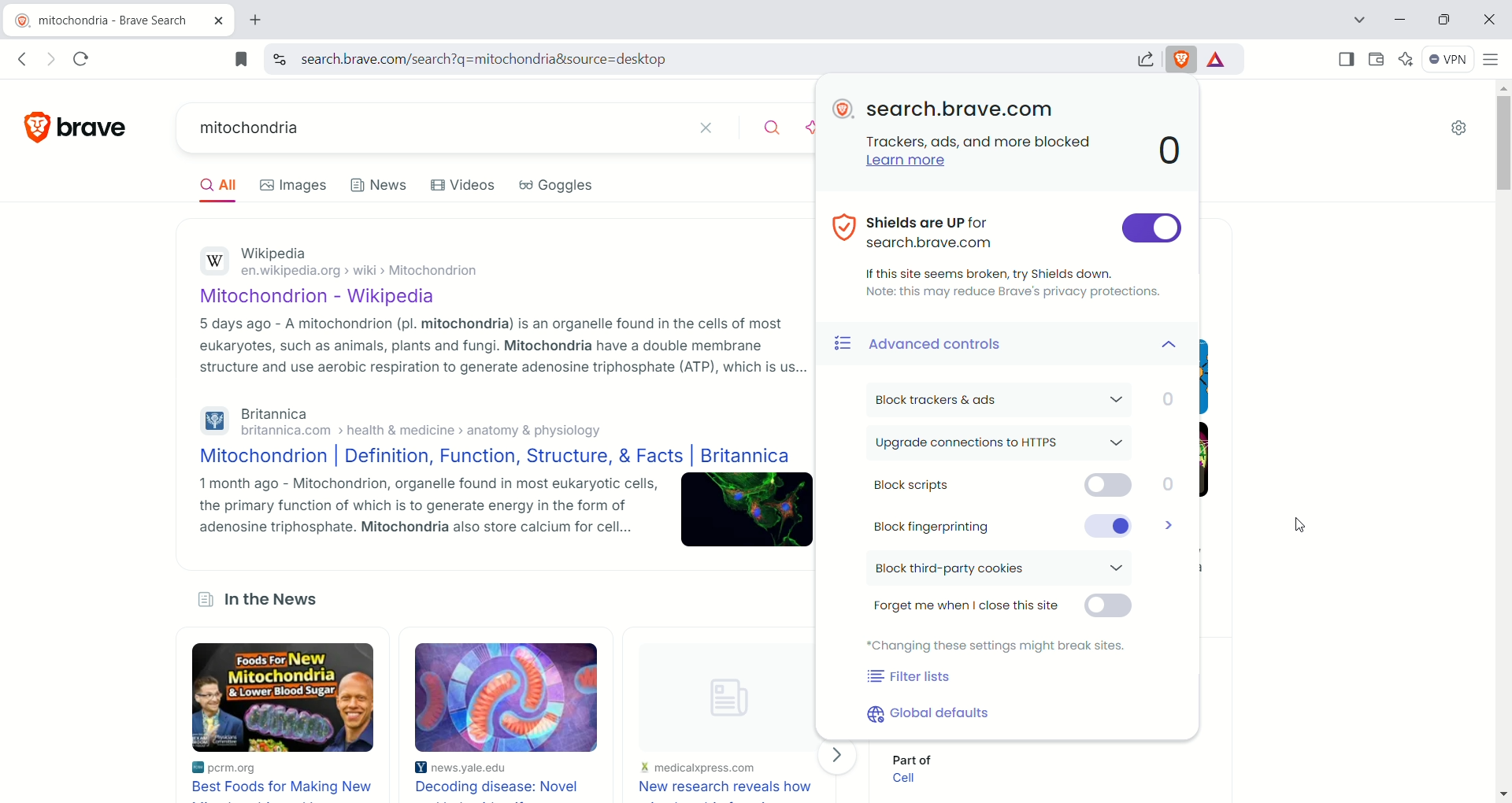  Describe the element at coordinates (495, 457) in the screenshot. I see `Mitochondrion | Definition, Structure, & Facts | Britannica` at that location.